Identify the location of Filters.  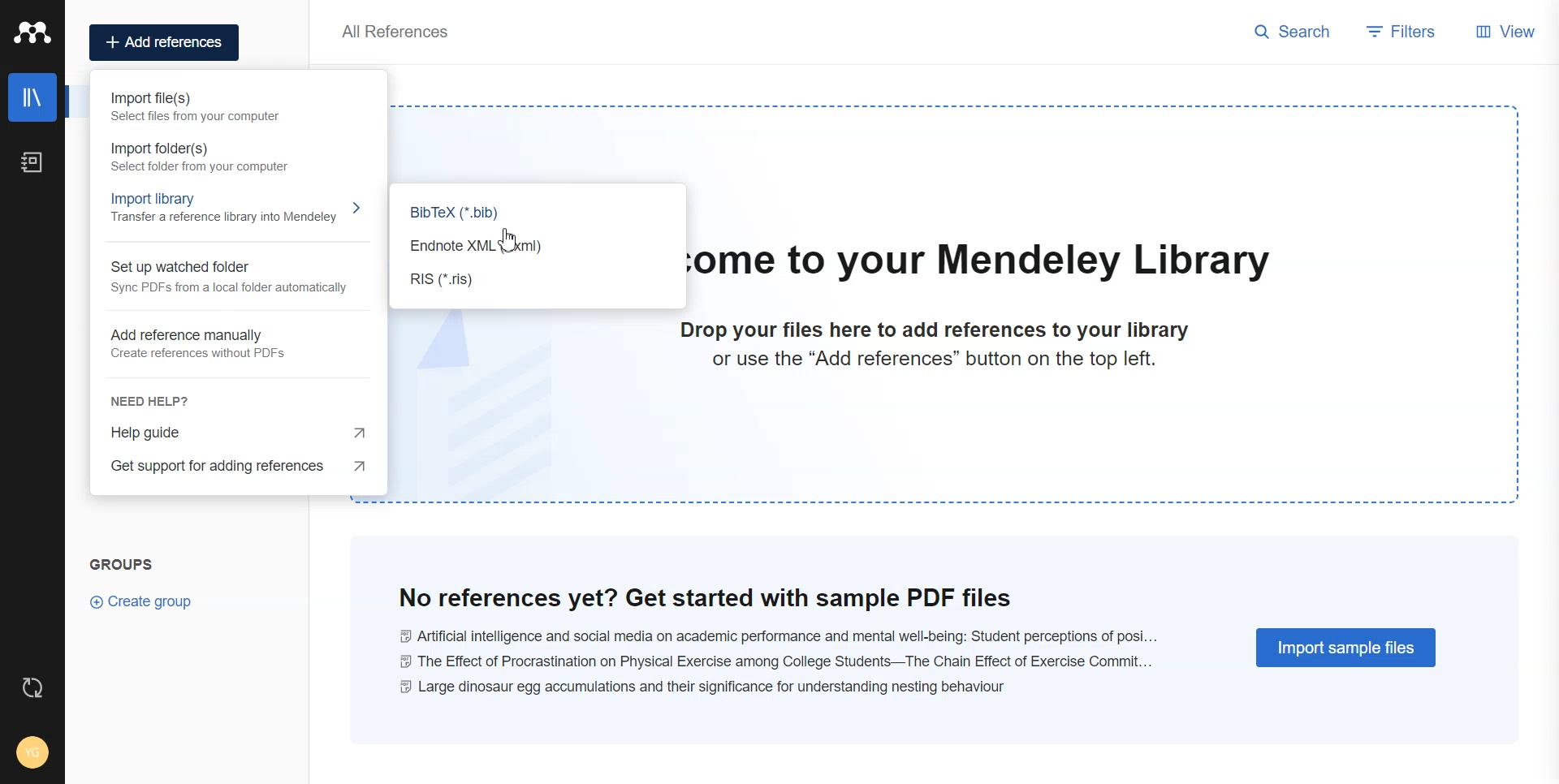
(1400, 32).